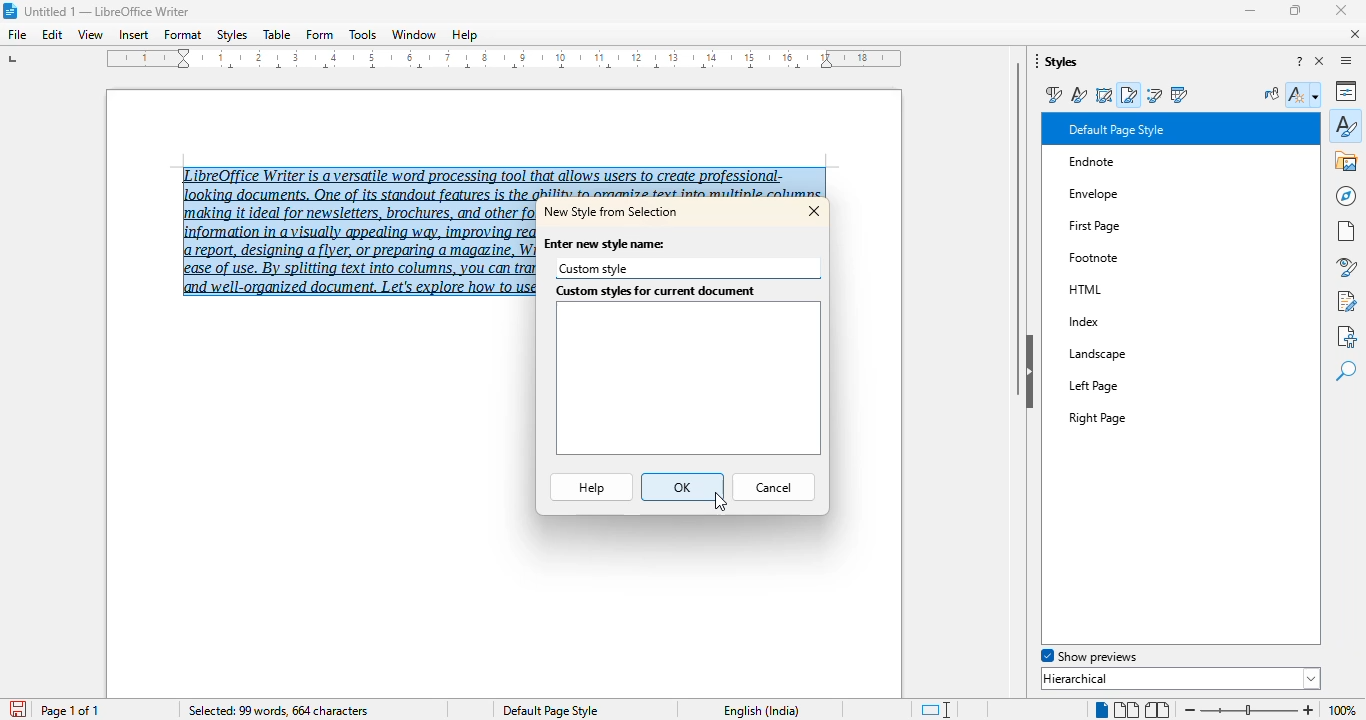  Describe the element at coordinates (762, 711) in the screenshot. I see `English (India)` at that location.